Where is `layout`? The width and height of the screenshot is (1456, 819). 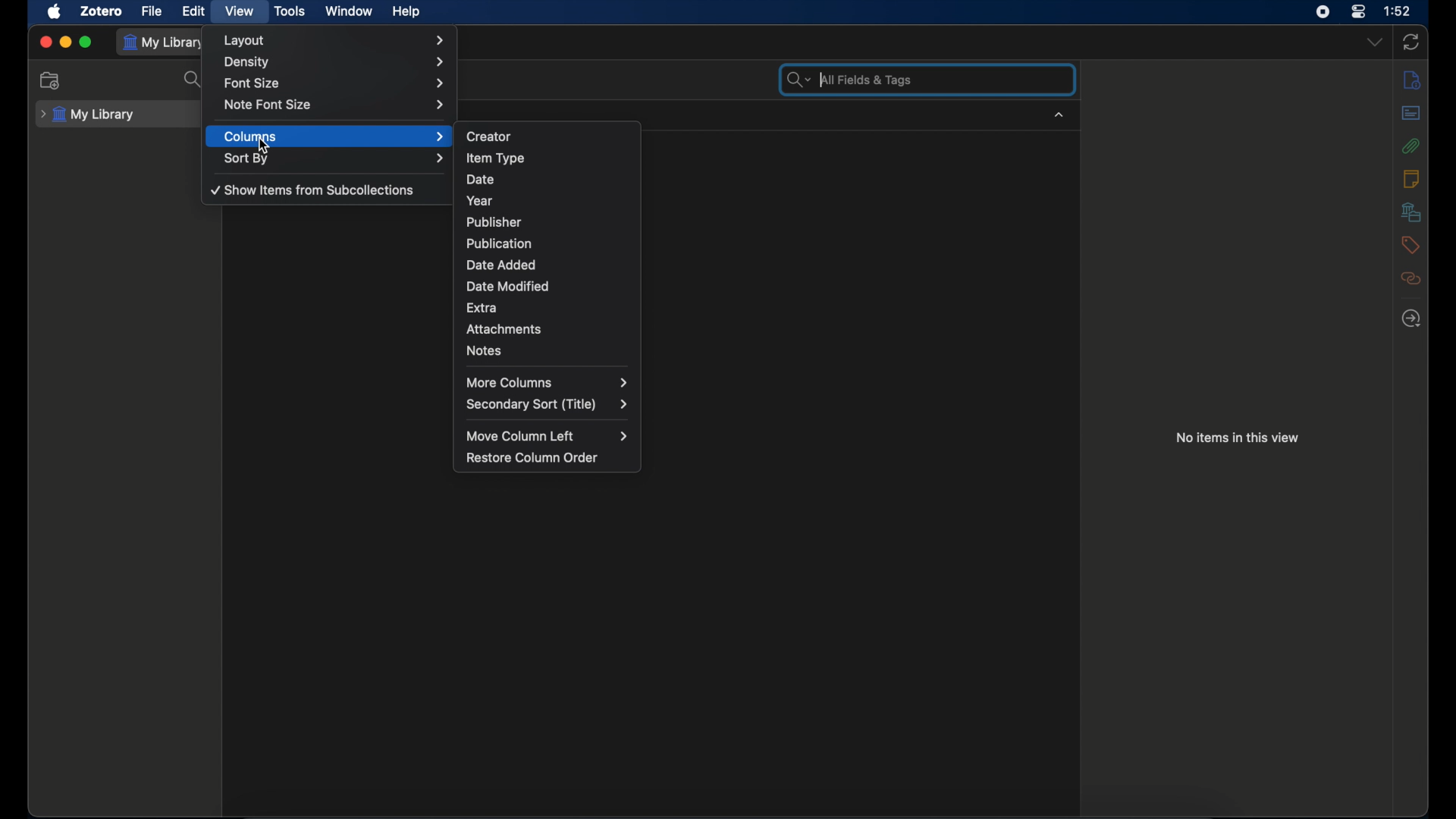 layout is located at coordinates (334, 40).